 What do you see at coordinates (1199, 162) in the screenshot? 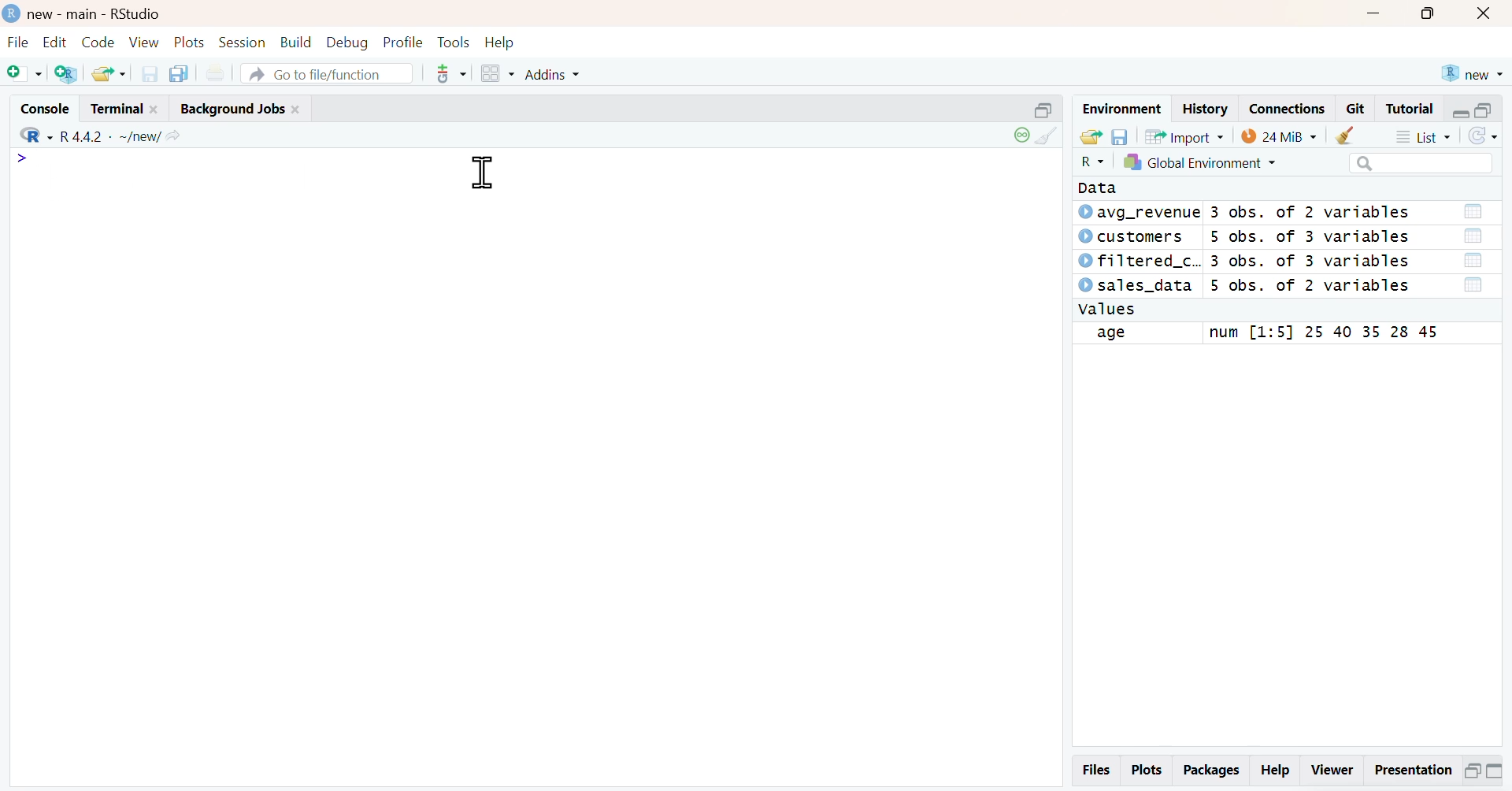
I see `Select Environment - Global Environment` at bounding box center [1199, 162].